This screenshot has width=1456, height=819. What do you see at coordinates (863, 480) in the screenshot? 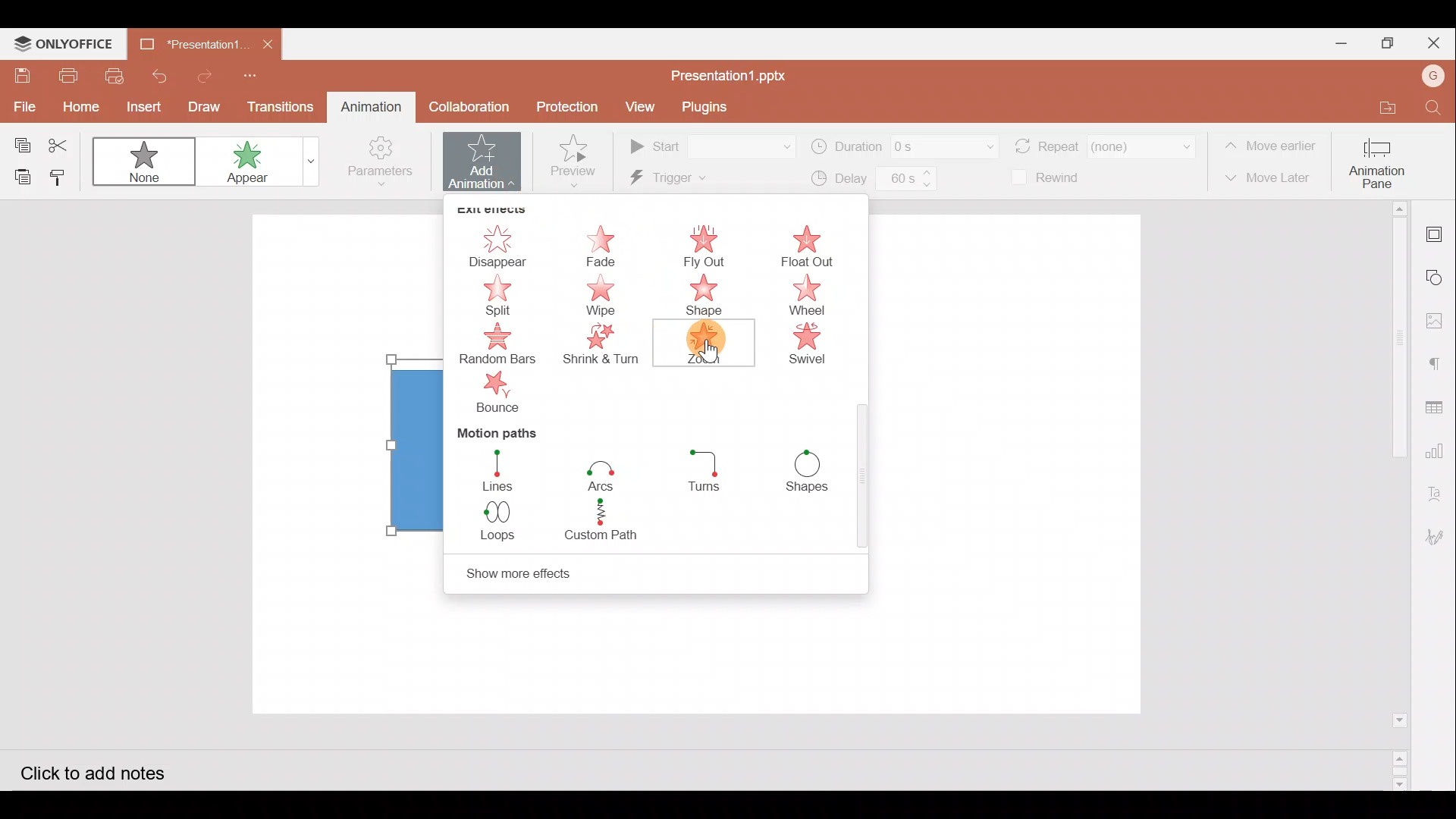
I see `Scroll bar` at bounding box center [863, 480].